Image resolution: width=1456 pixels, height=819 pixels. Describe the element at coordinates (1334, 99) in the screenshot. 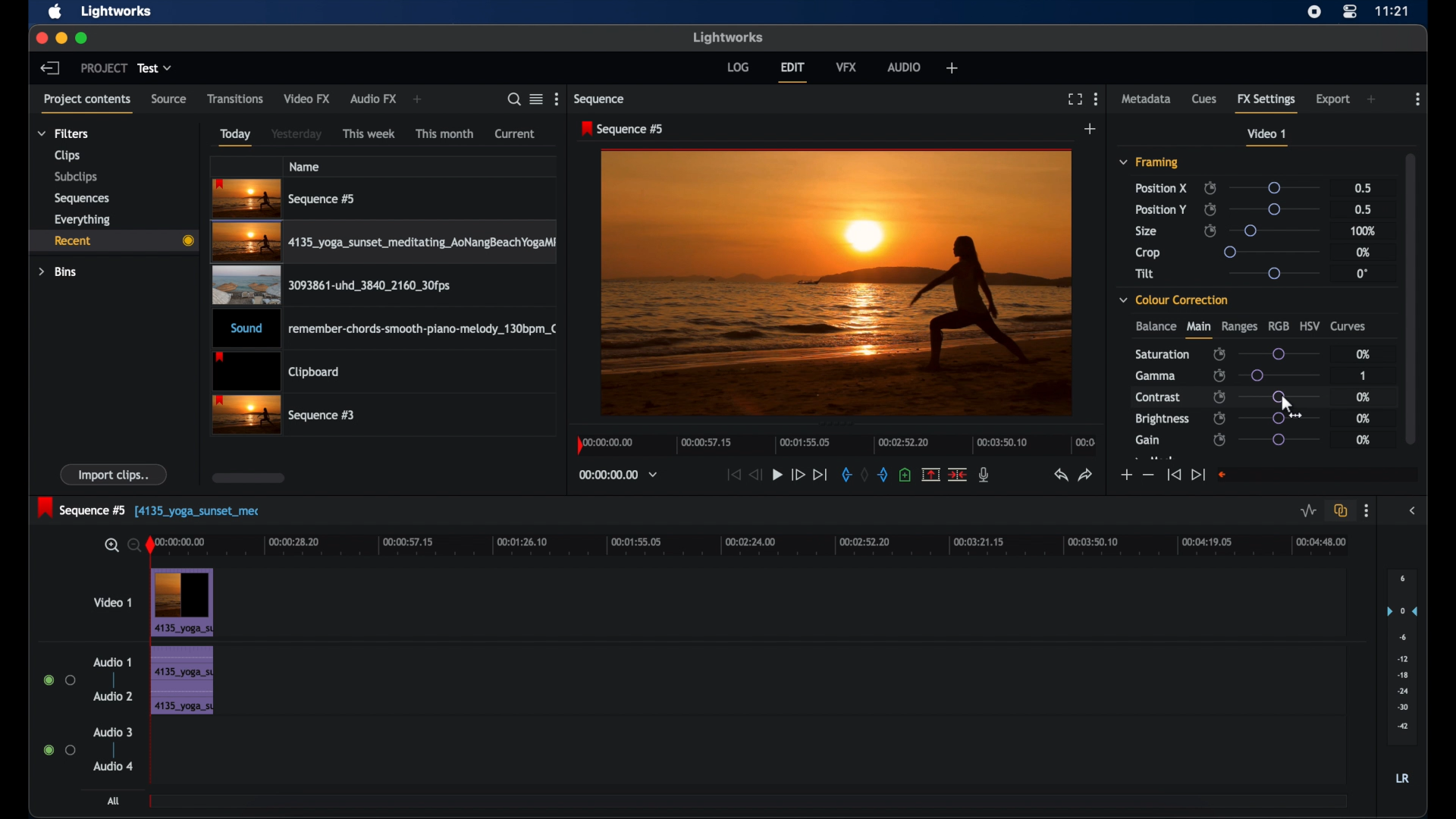

I see `export` at that location.